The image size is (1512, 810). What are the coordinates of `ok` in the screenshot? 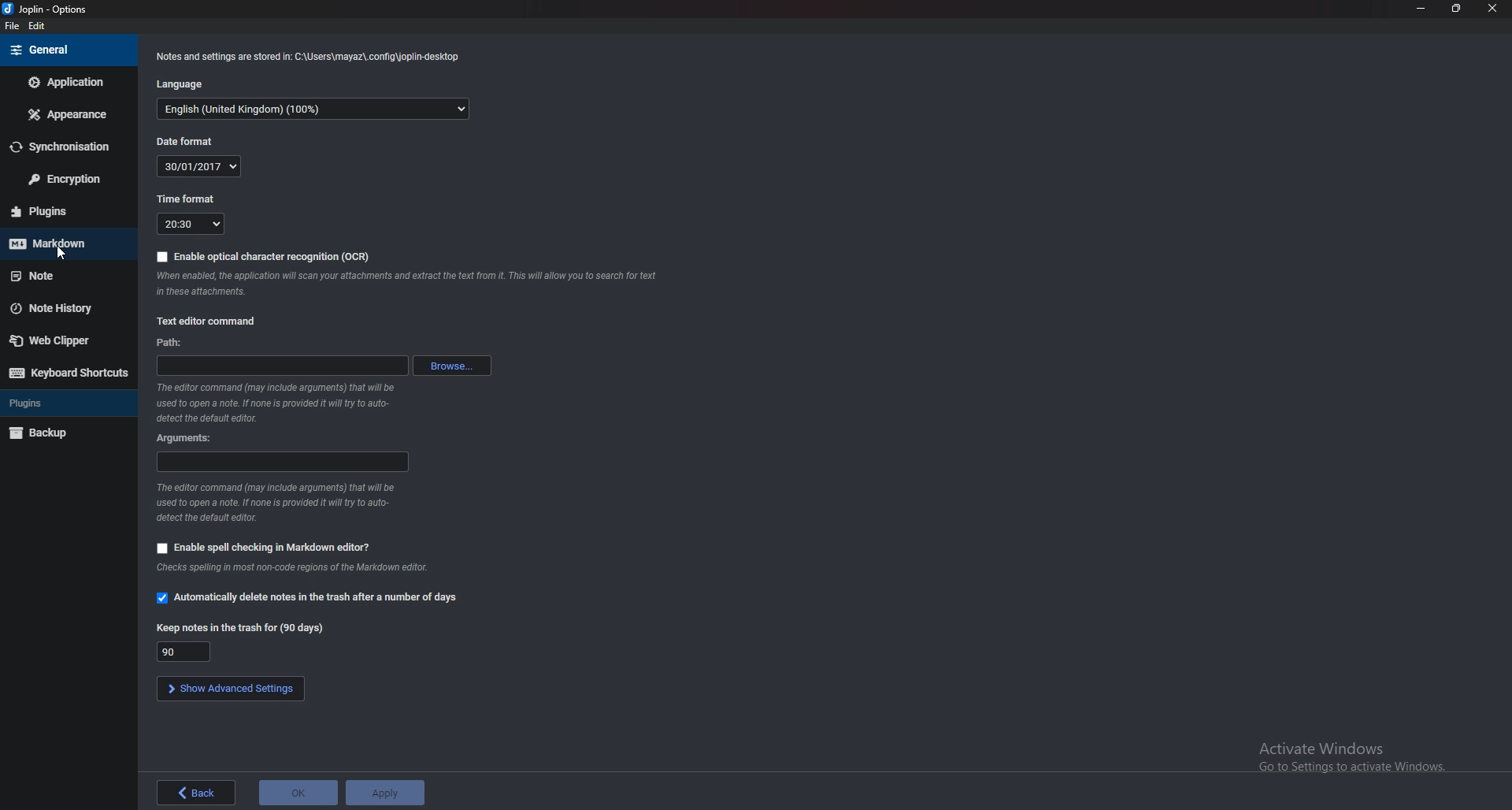 It's located at (298, 791).